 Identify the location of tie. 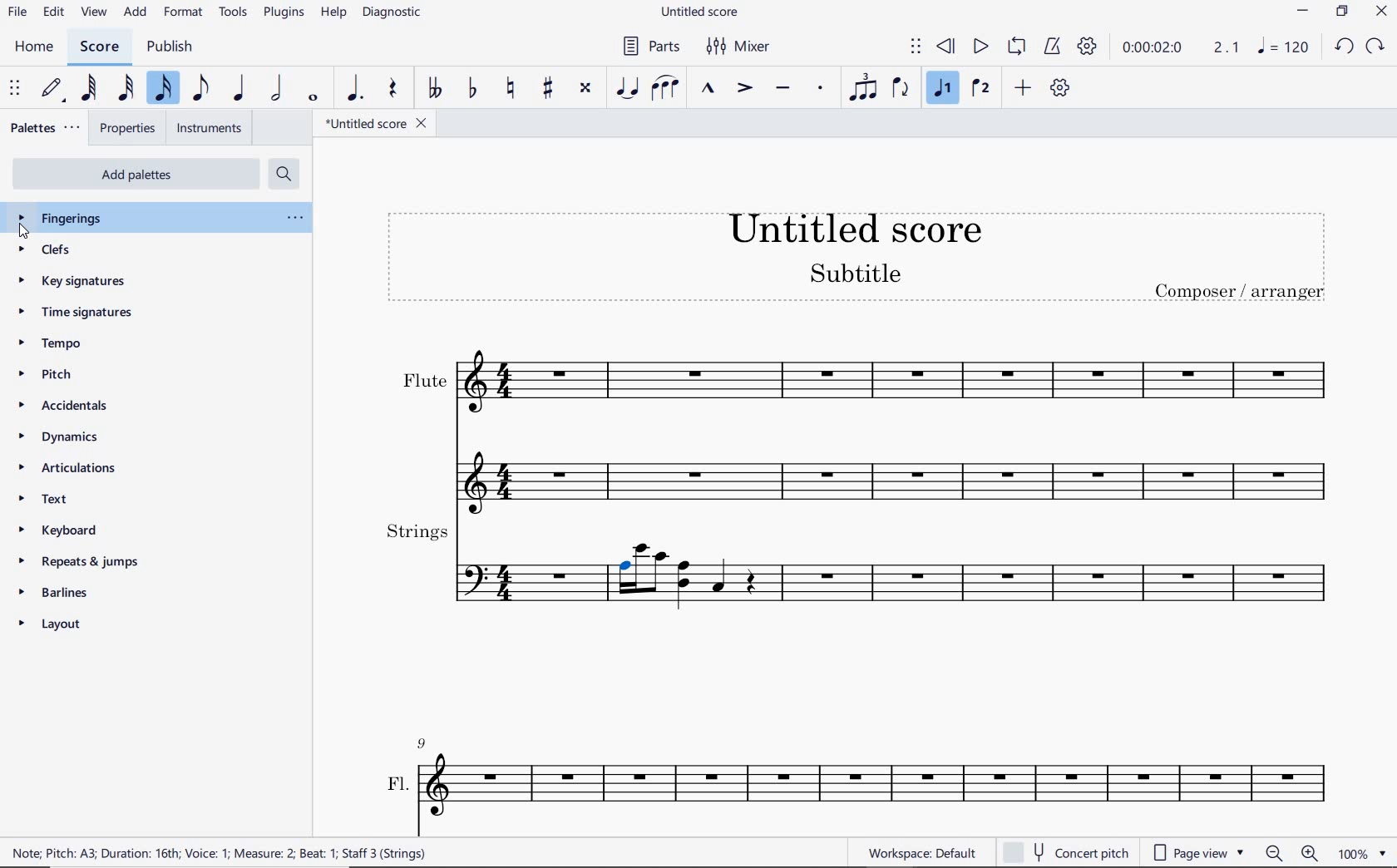
(625, 89).